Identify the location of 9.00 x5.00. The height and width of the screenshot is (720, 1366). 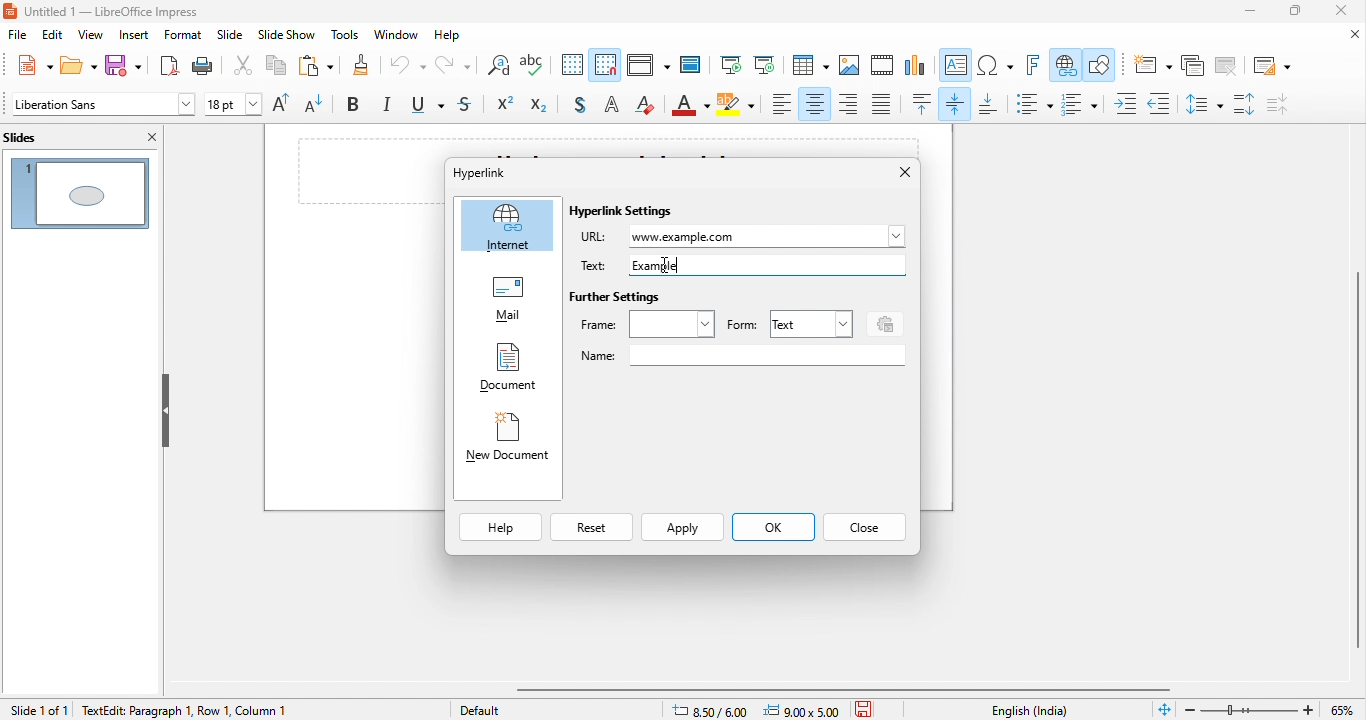
(805, 709).